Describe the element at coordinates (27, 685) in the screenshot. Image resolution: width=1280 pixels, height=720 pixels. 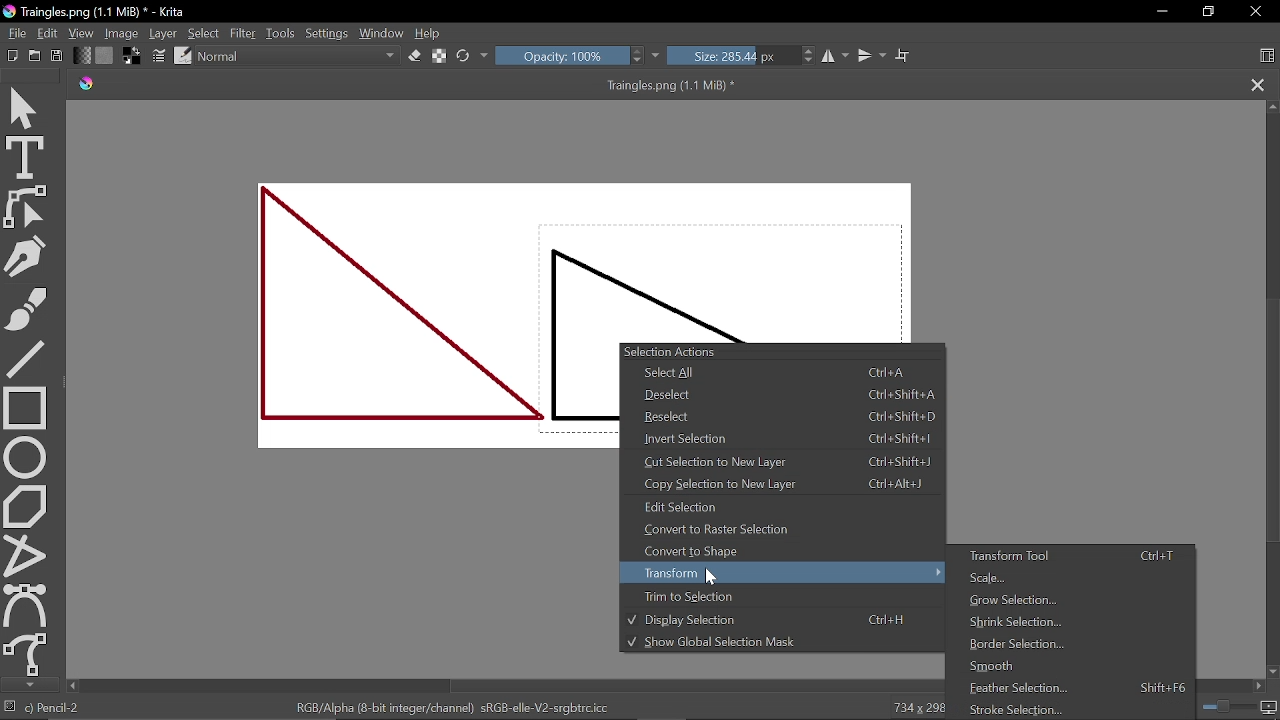
I see `Move down tool` at that location.